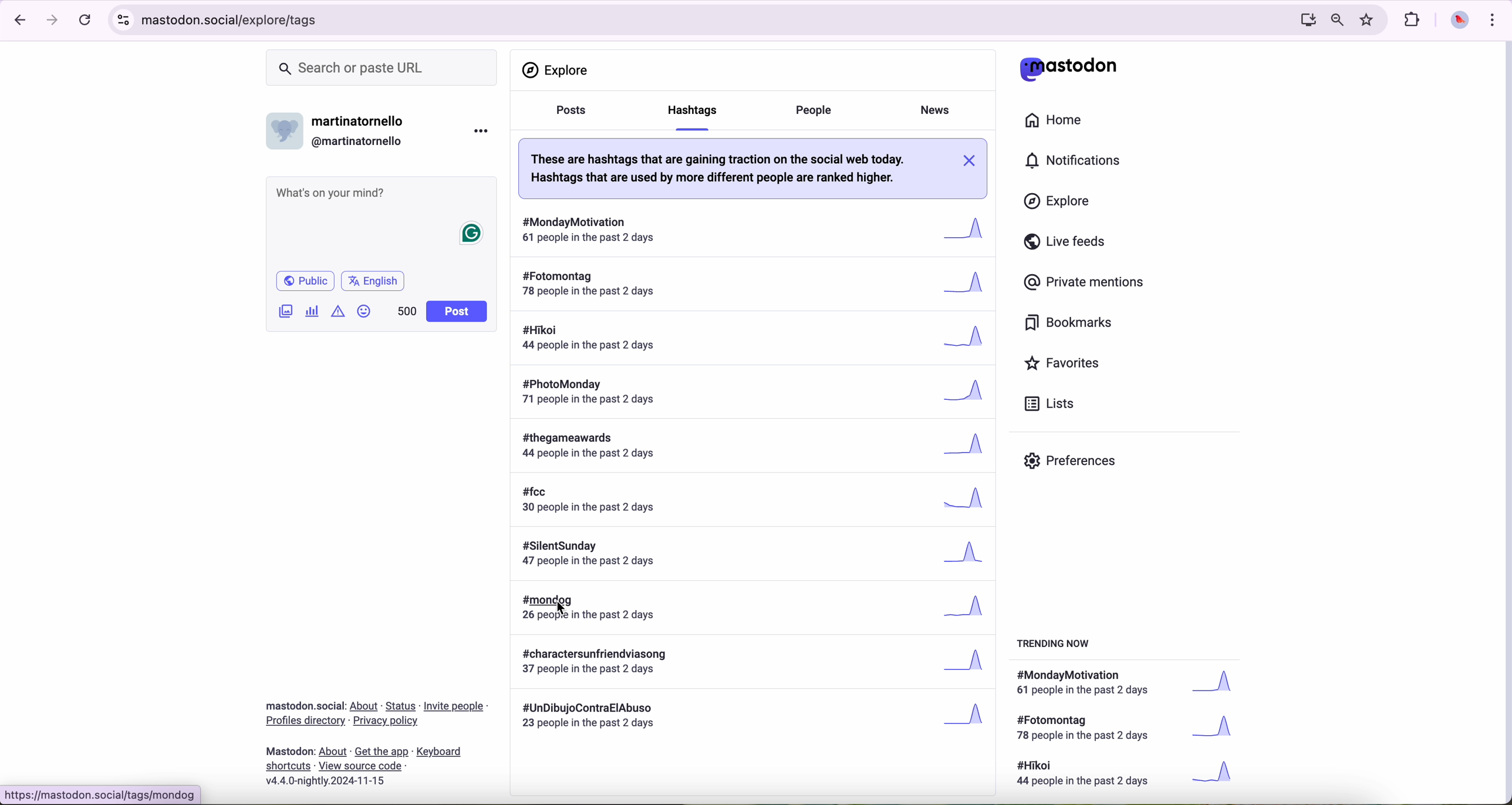  Describe the element at coordinates (934, 112) in the screenshot. I see `news` at that location.